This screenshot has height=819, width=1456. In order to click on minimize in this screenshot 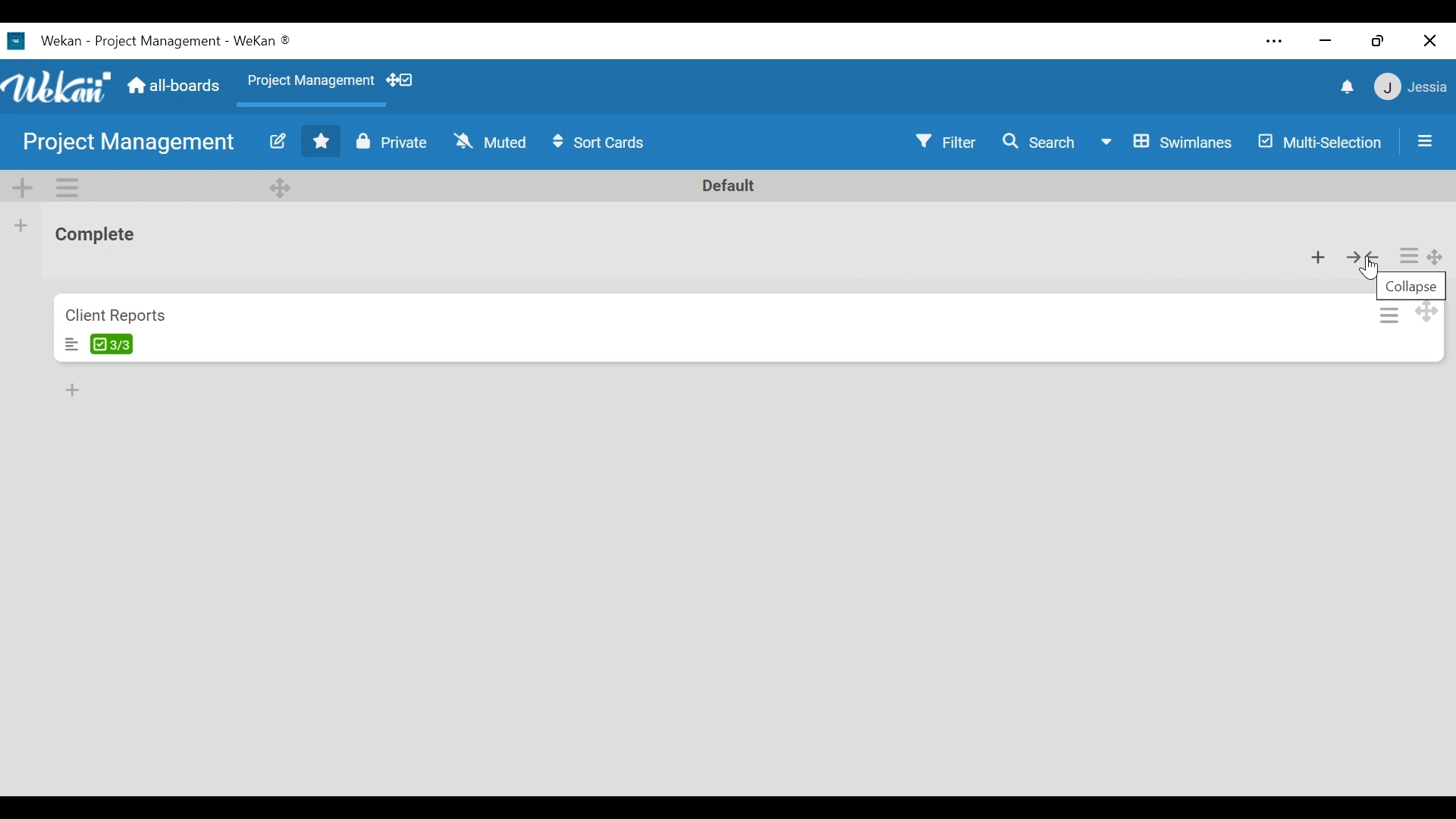, I will do `click(1327, 40)`.